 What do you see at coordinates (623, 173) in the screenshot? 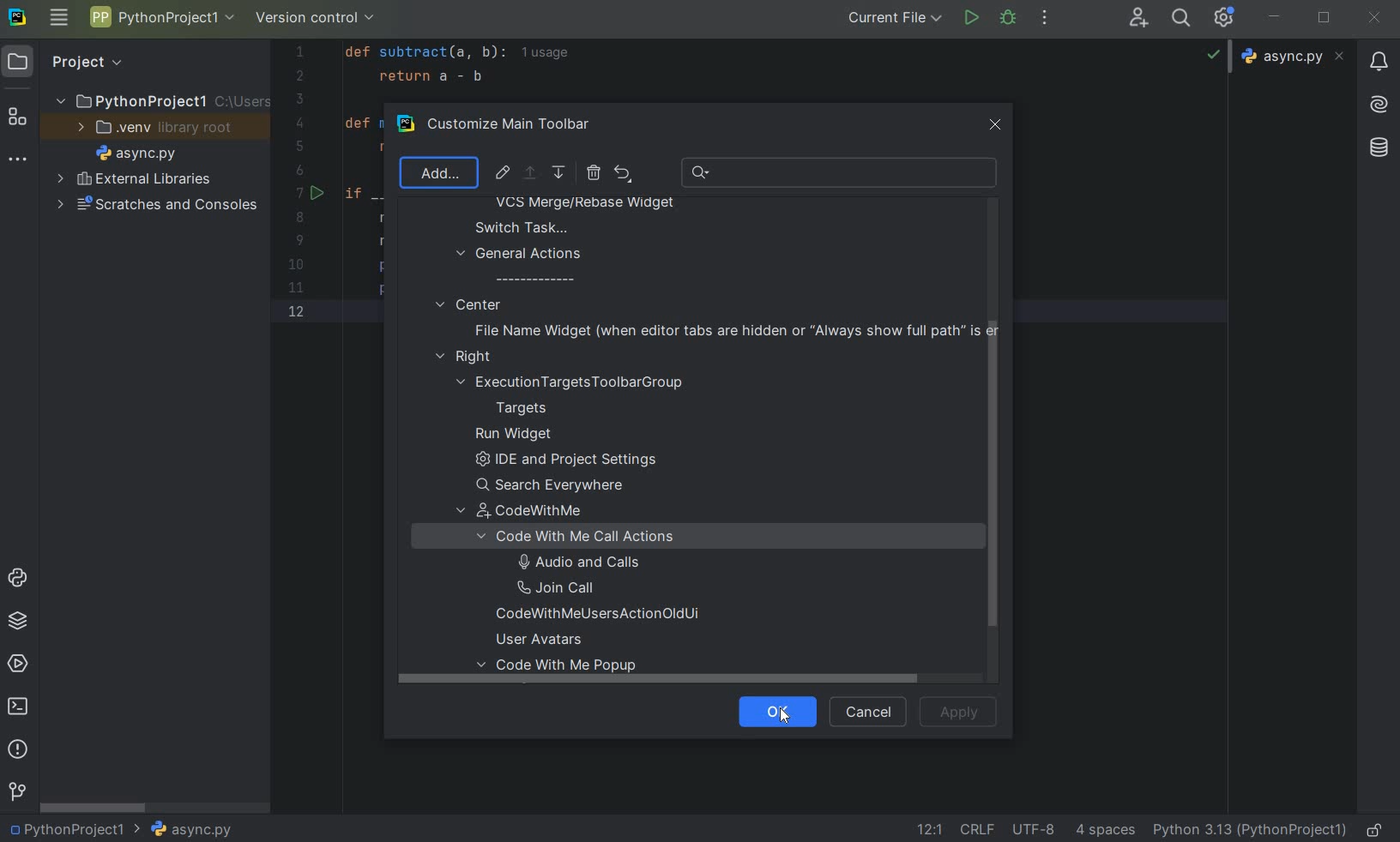
I see `RESTORE ACTIONS` at bounding box center [623, 173].